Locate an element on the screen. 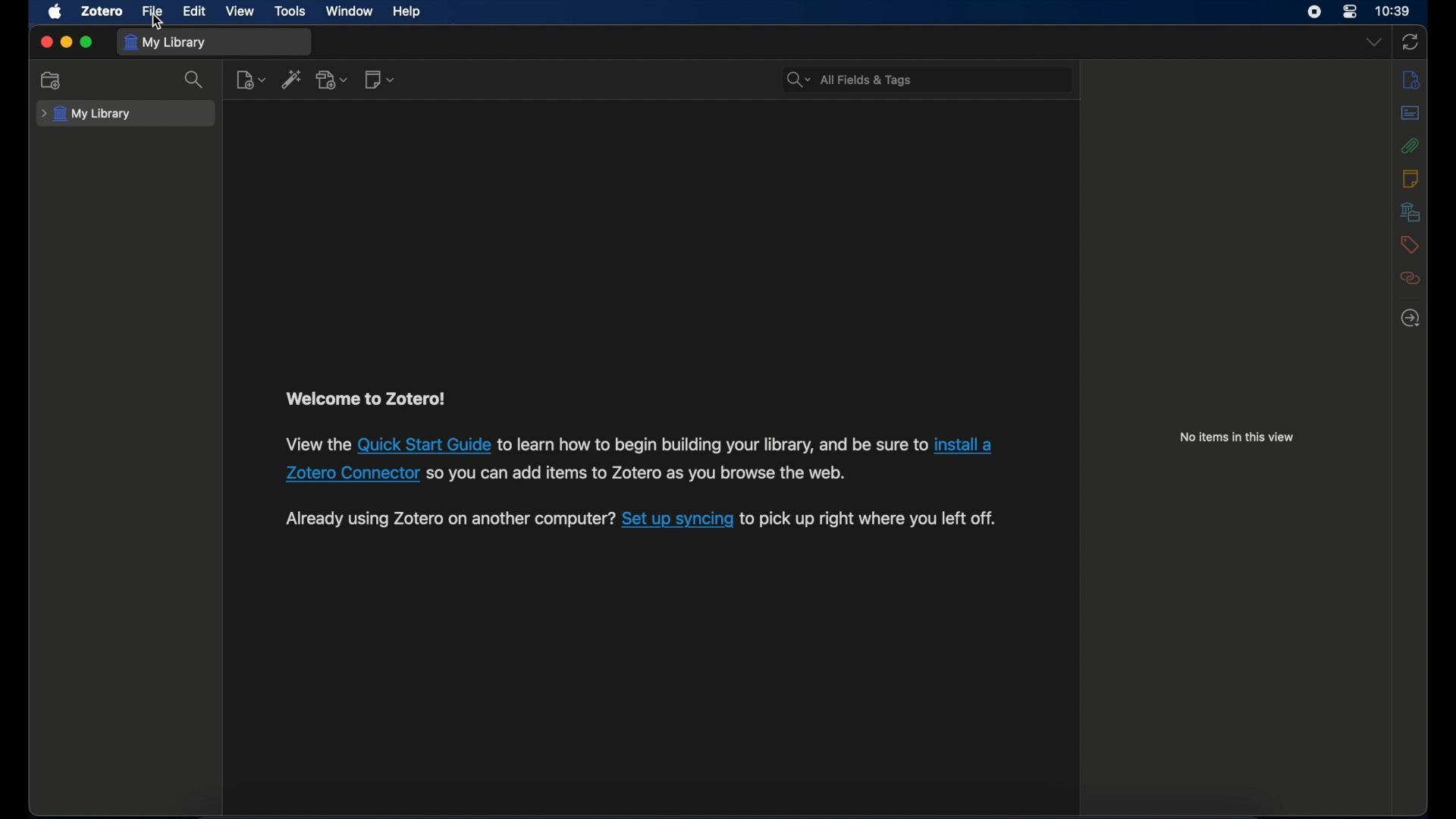 The width and height of the screenshot is (1456, 819). add item by identifier is located at coordinates (291, 80).